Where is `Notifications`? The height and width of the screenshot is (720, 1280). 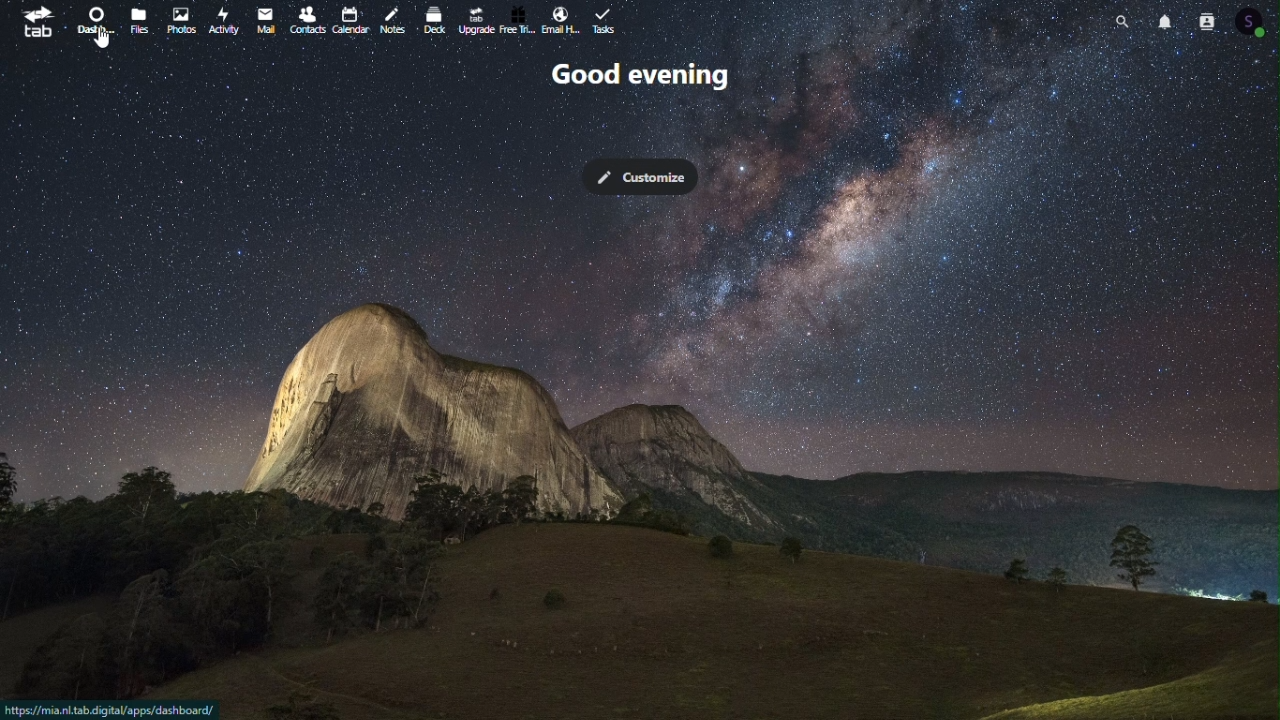
Notifications is located at coordinates (1168, 20).